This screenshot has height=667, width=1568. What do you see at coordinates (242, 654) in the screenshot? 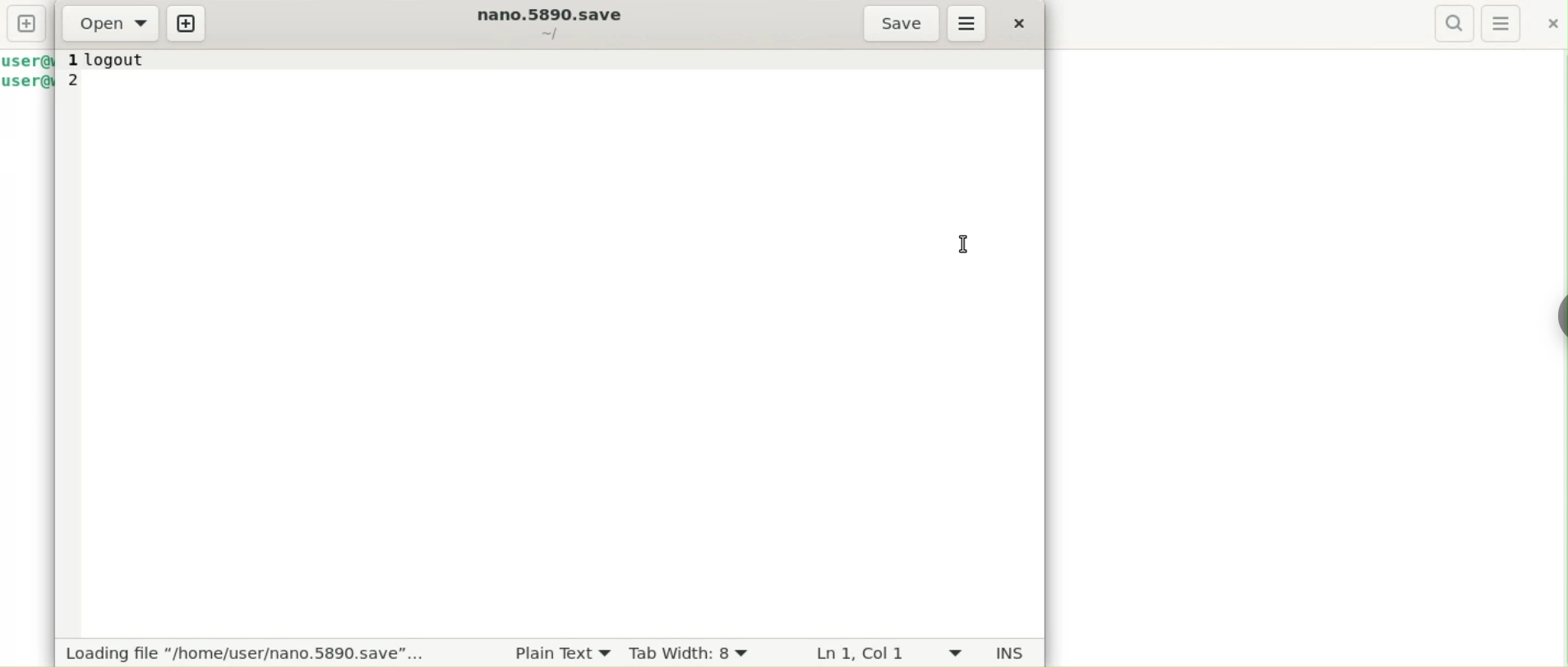
I see `Loading file "/home/user/nano.5890.save"...` at bounding box center [242, 654].